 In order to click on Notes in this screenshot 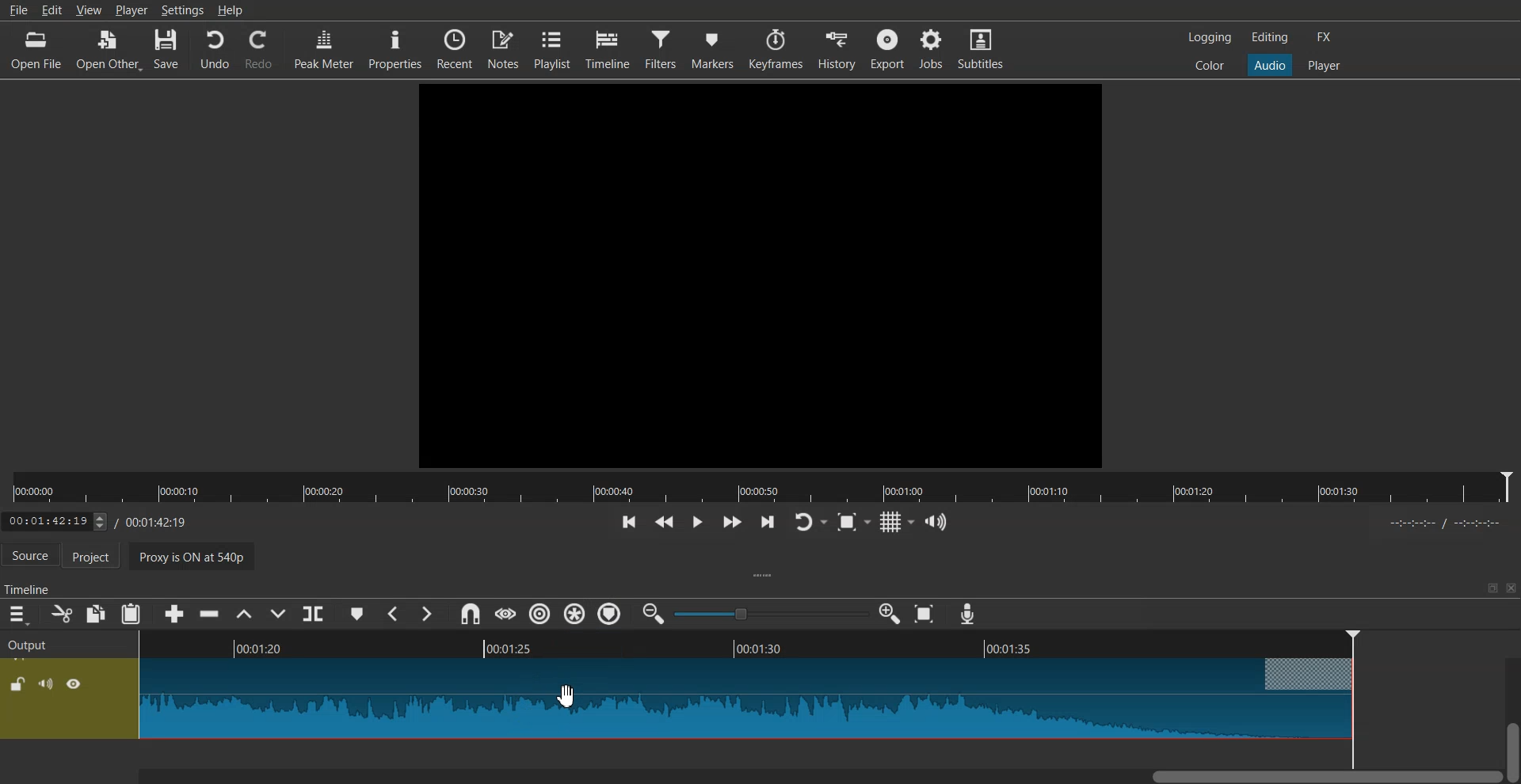, I will do `click(505, 49)`.